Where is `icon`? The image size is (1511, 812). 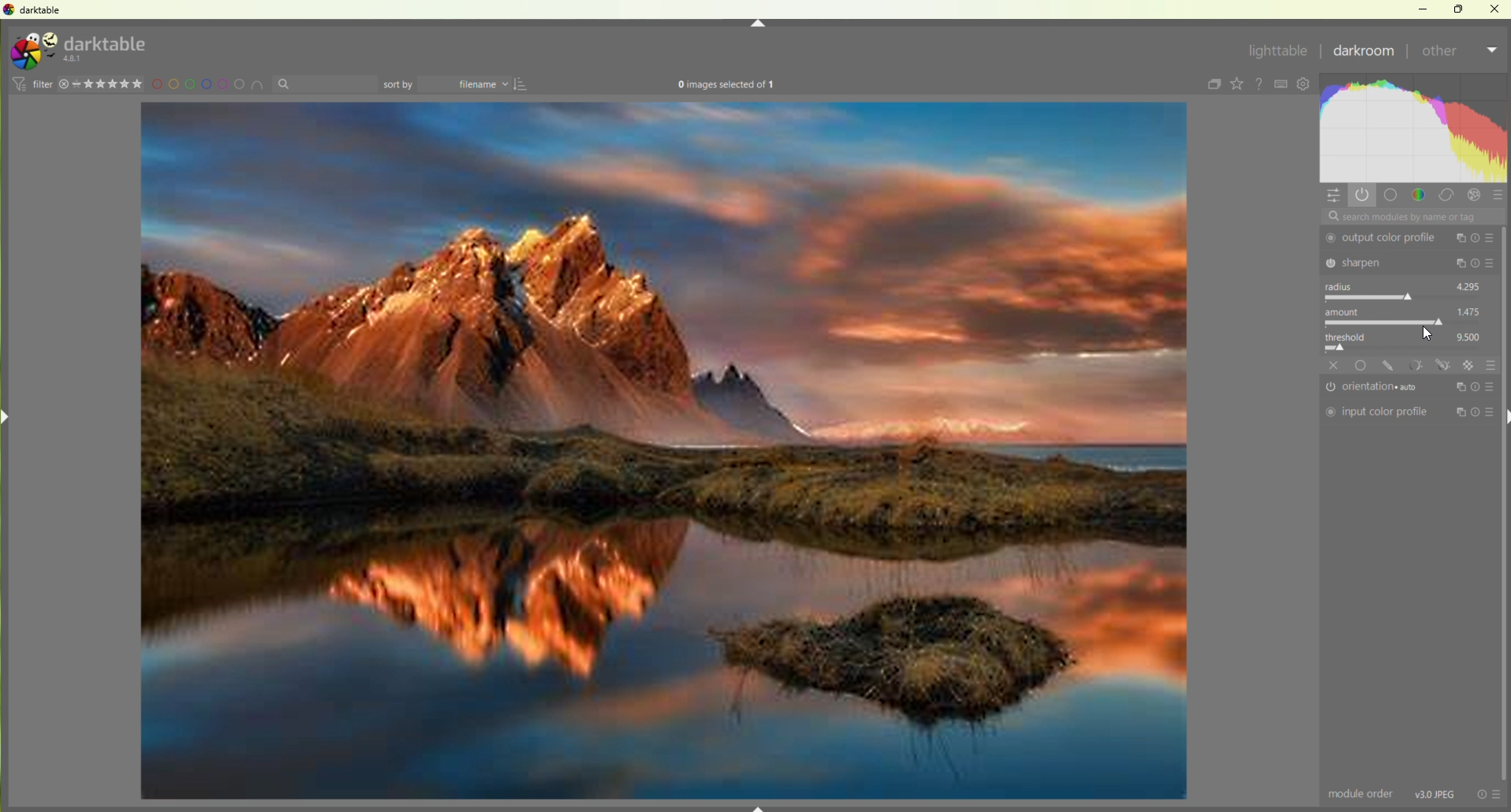
icon is located at coordinates (17, 84).